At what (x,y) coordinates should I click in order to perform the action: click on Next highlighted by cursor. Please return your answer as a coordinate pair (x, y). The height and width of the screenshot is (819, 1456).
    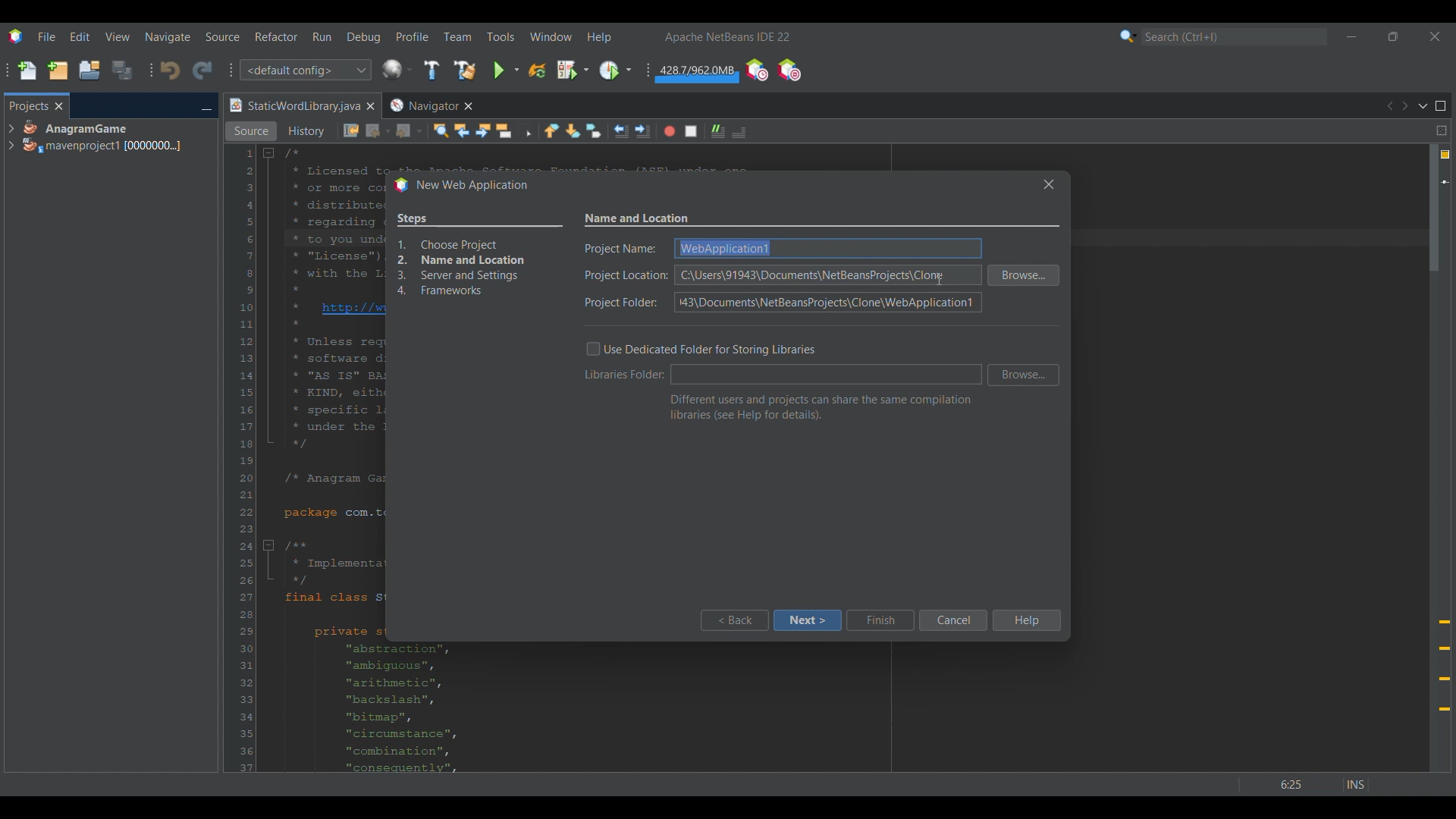
    Looking at the image, I should click on (807, 620).